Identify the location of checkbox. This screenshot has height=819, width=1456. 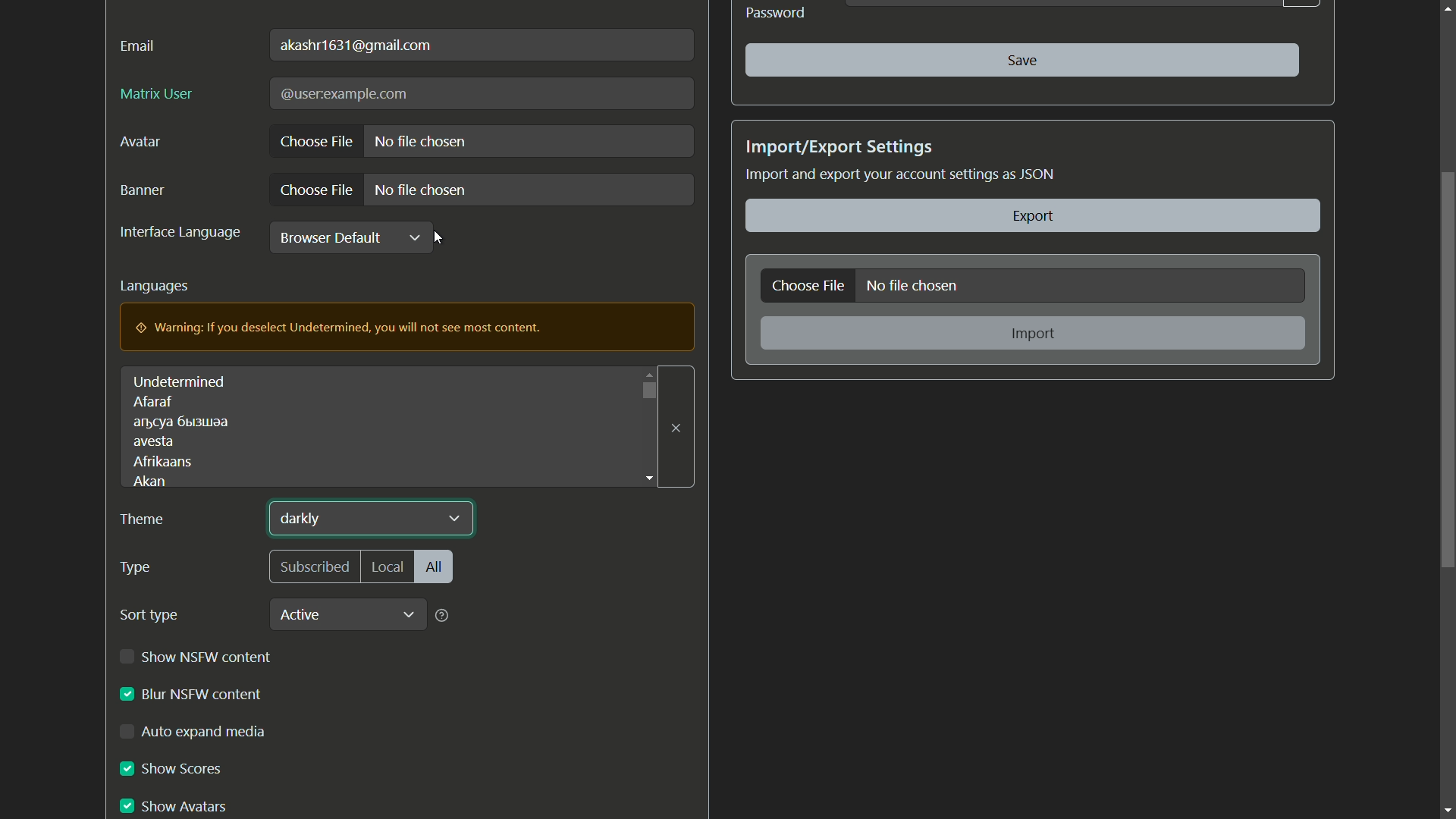
(128, 657).